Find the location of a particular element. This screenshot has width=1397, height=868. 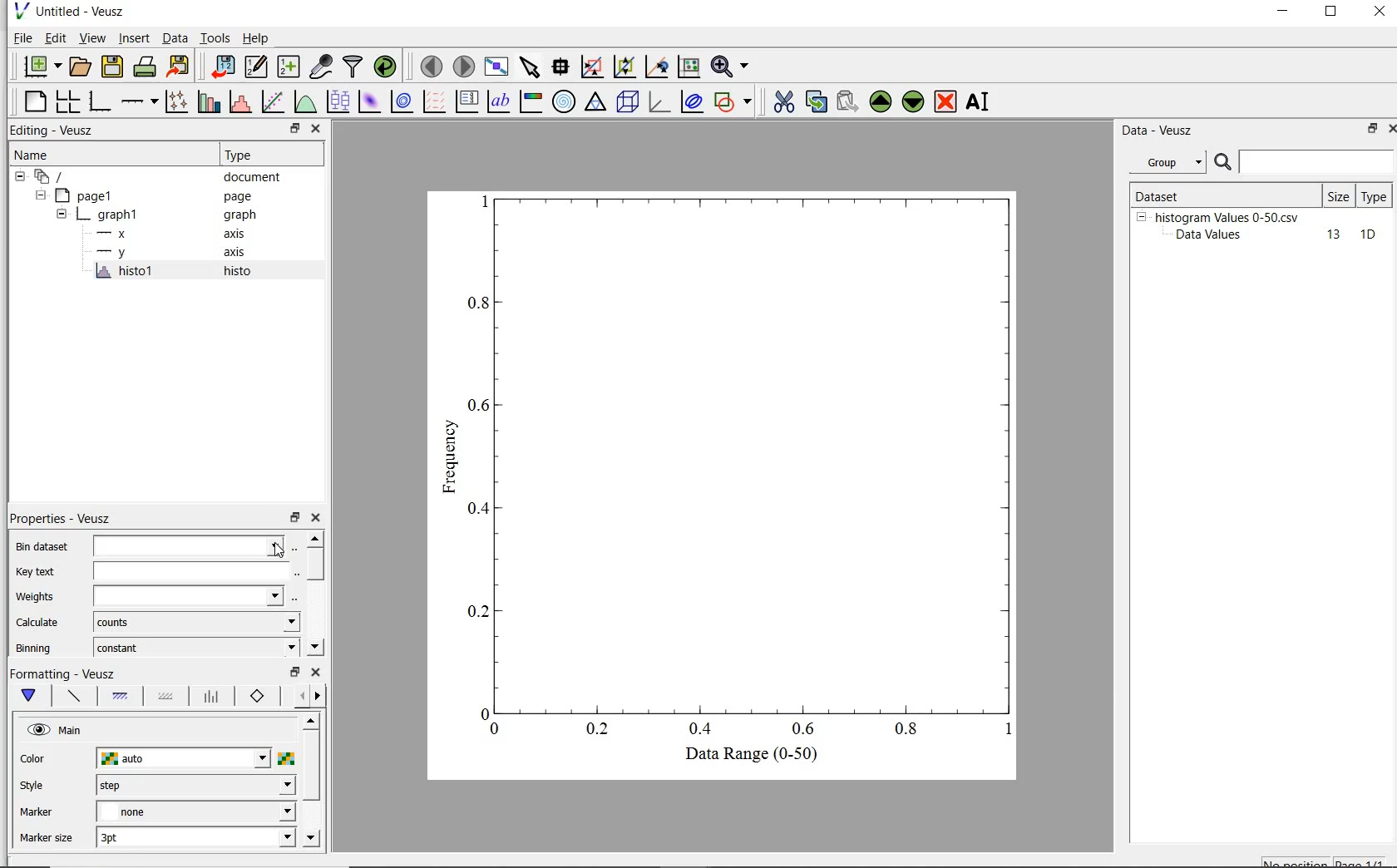

pic color is located at coordinates (286, 758).